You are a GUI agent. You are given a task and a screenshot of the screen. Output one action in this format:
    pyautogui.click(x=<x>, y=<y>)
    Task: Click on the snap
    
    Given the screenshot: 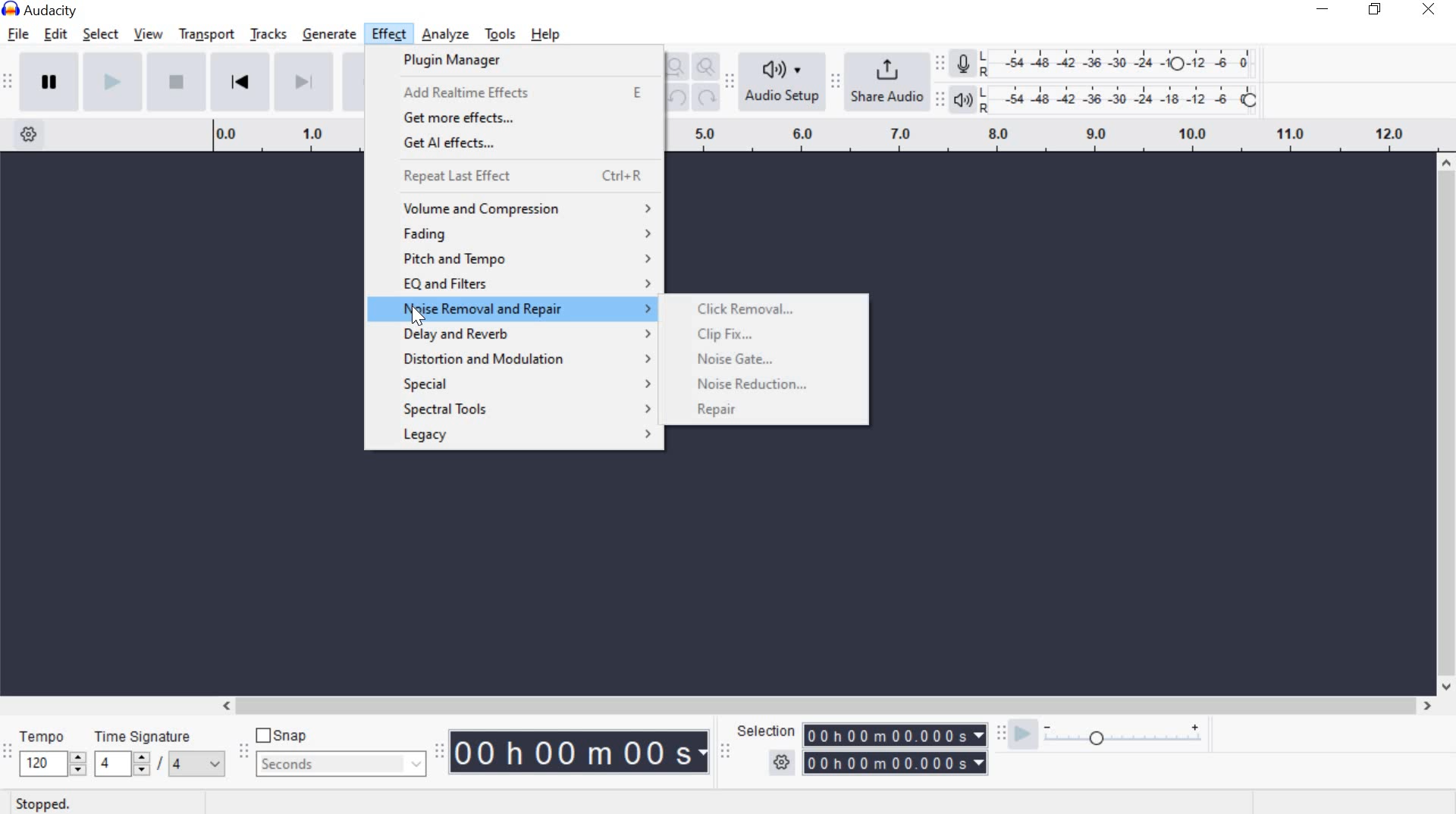 What is the action you would take?
    pyautogui.click(x=285, y=734)
    